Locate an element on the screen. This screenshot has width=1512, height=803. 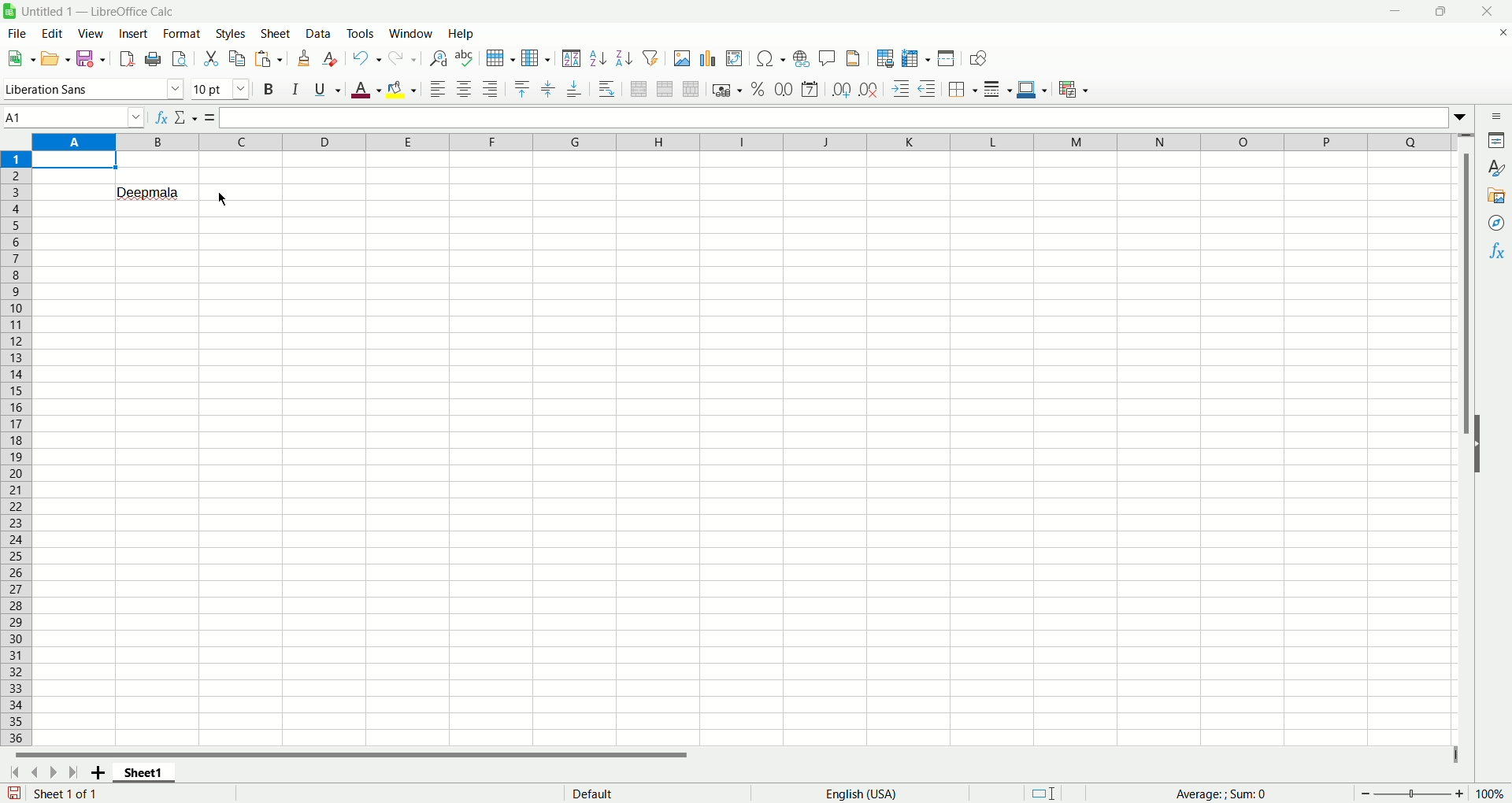
Font size is located at coordinates (224, 87).